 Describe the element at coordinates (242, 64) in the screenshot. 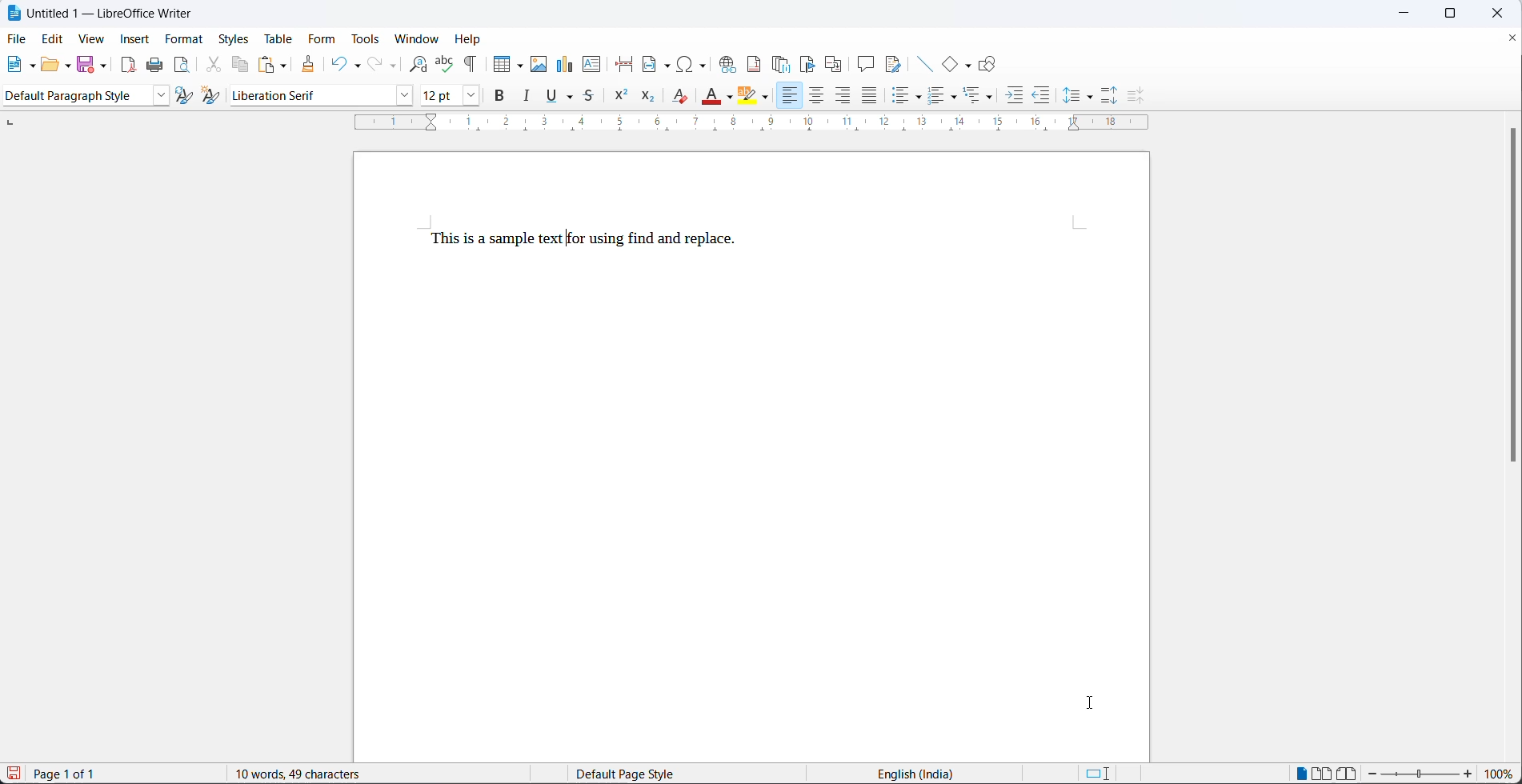

I see `copy` at that location.